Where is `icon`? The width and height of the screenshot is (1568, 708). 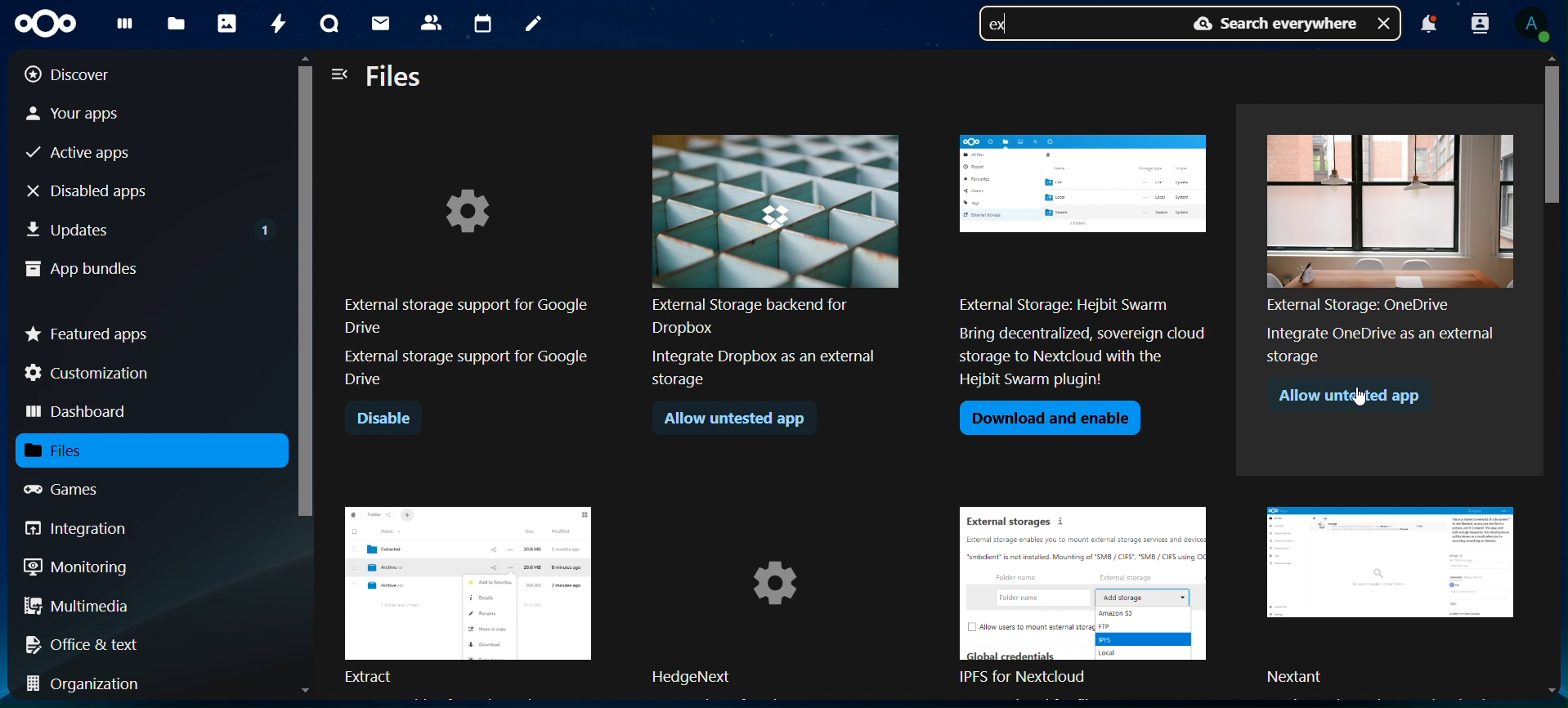
icon is located at coordinates (52, 24).